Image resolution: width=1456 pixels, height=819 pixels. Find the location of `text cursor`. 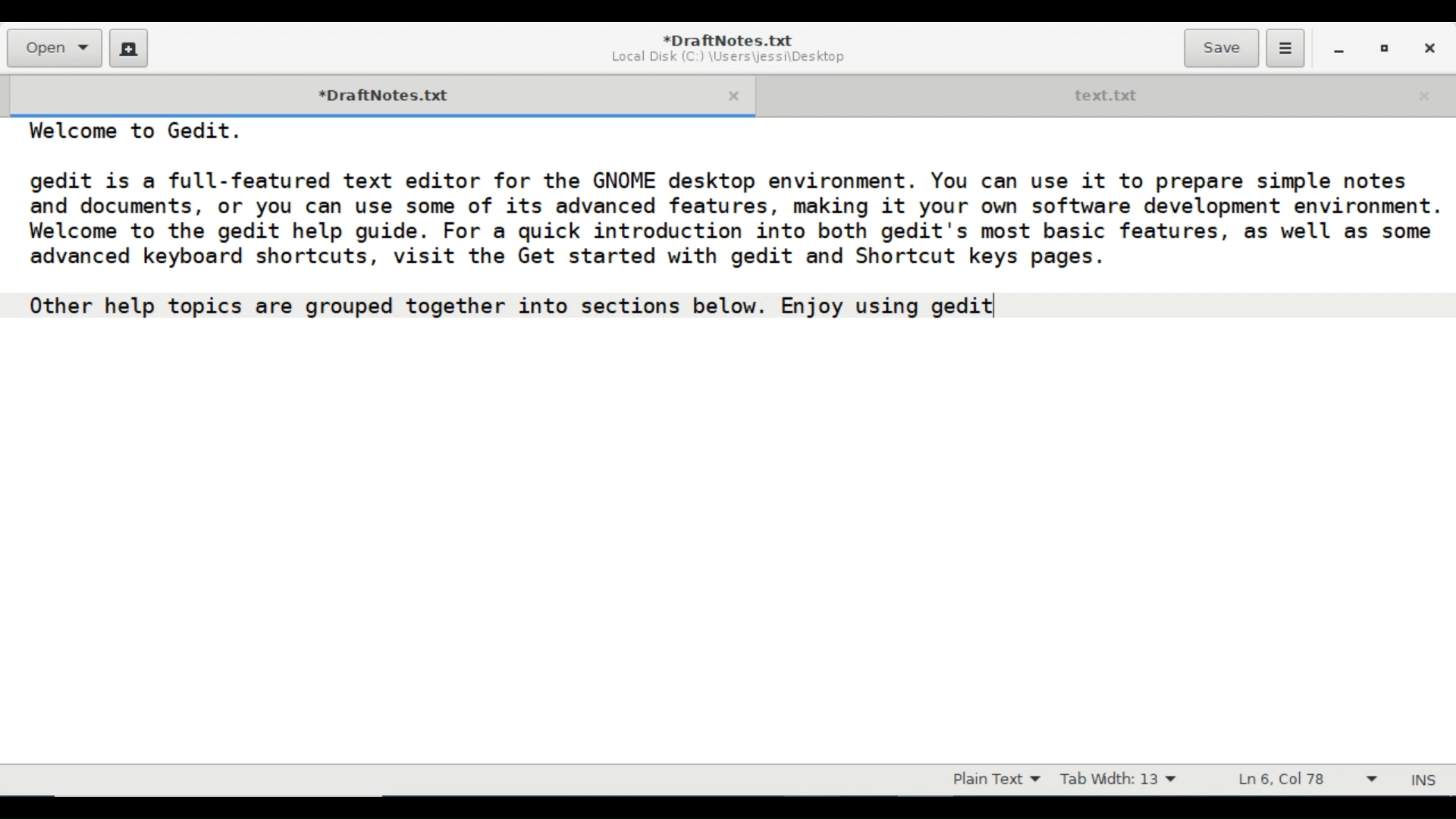

text cursor is located at coordinates (997, 309).